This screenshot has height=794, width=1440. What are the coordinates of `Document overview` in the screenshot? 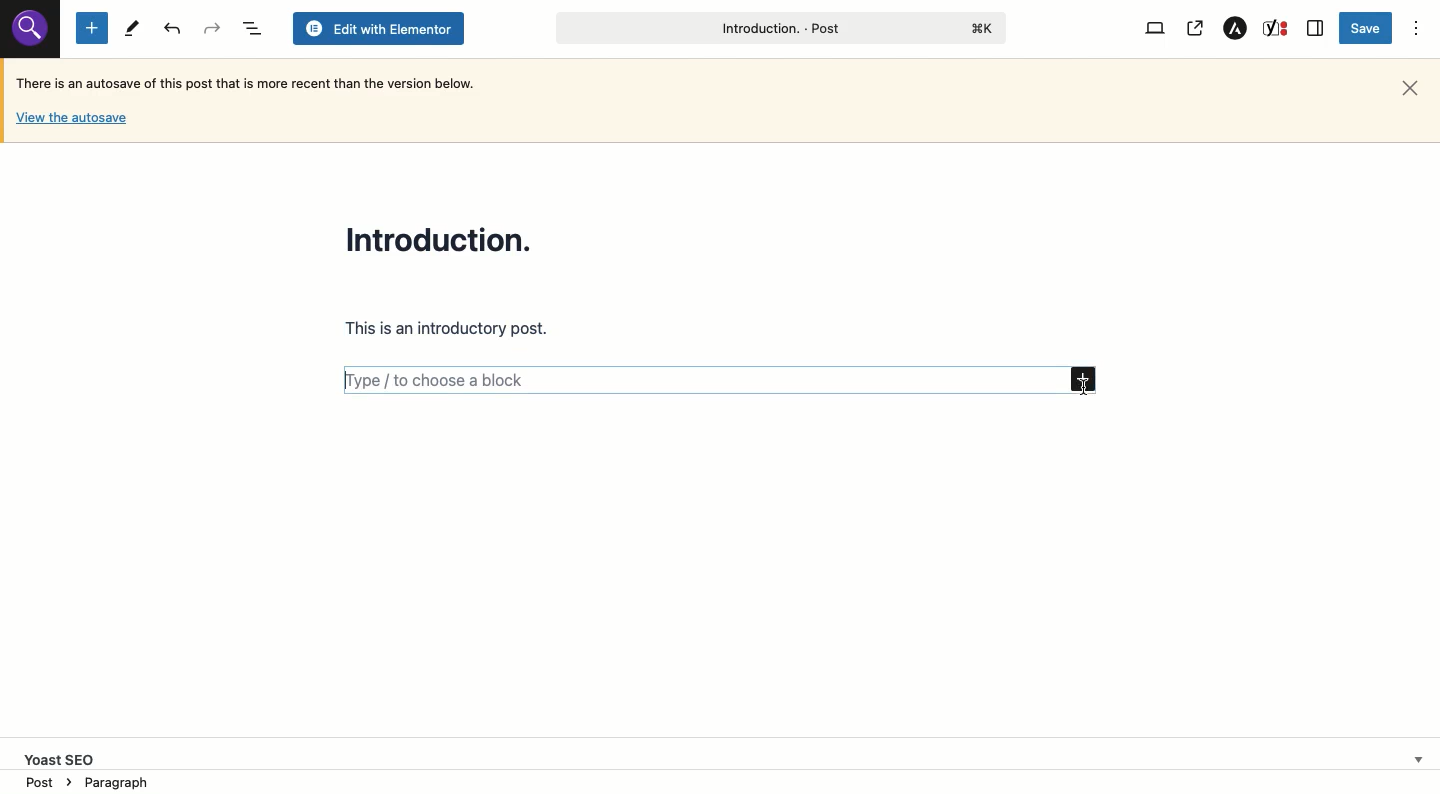 It's located at (250, 28).